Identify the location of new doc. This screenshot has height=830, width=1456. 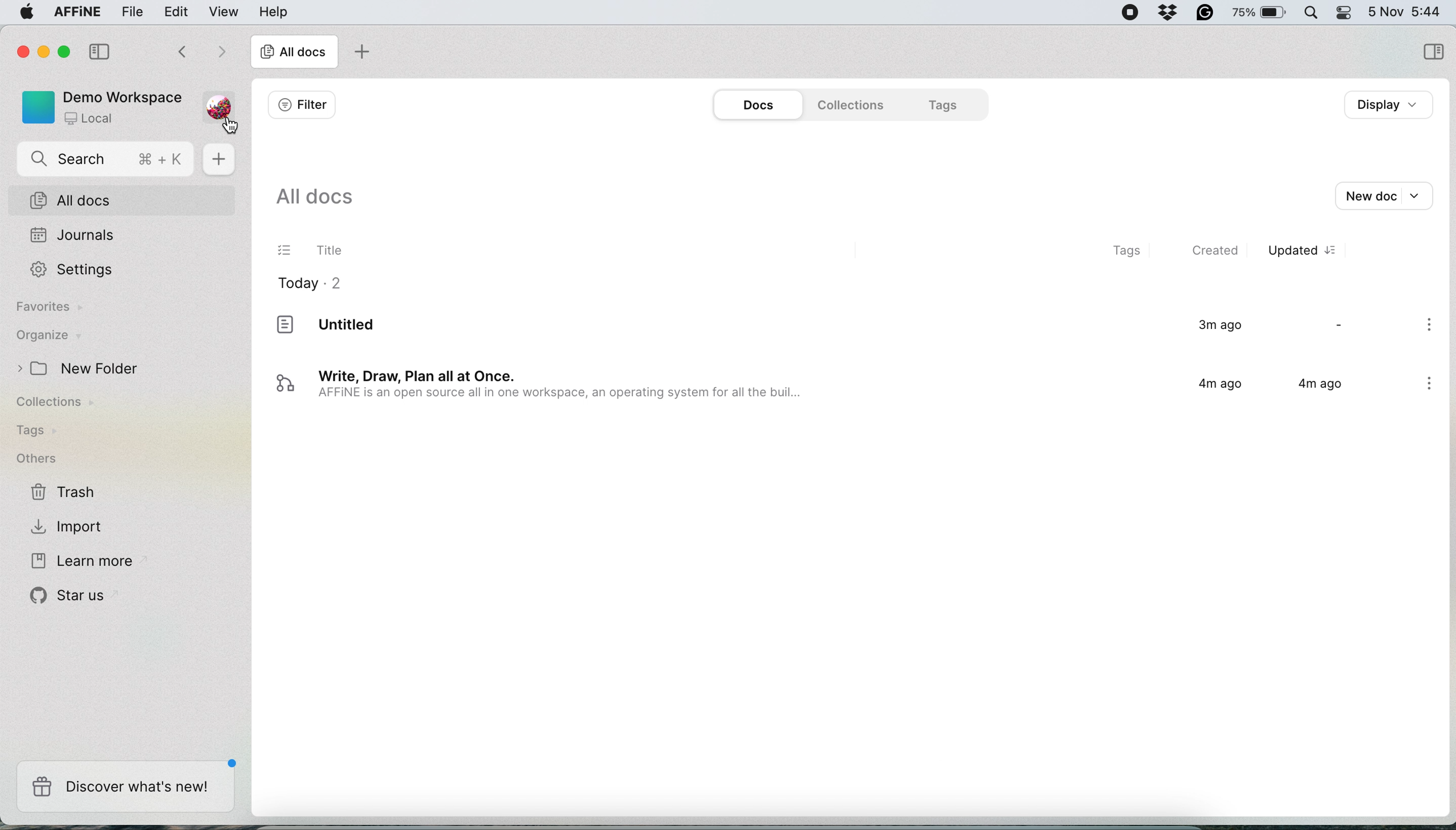
(1382, 194).